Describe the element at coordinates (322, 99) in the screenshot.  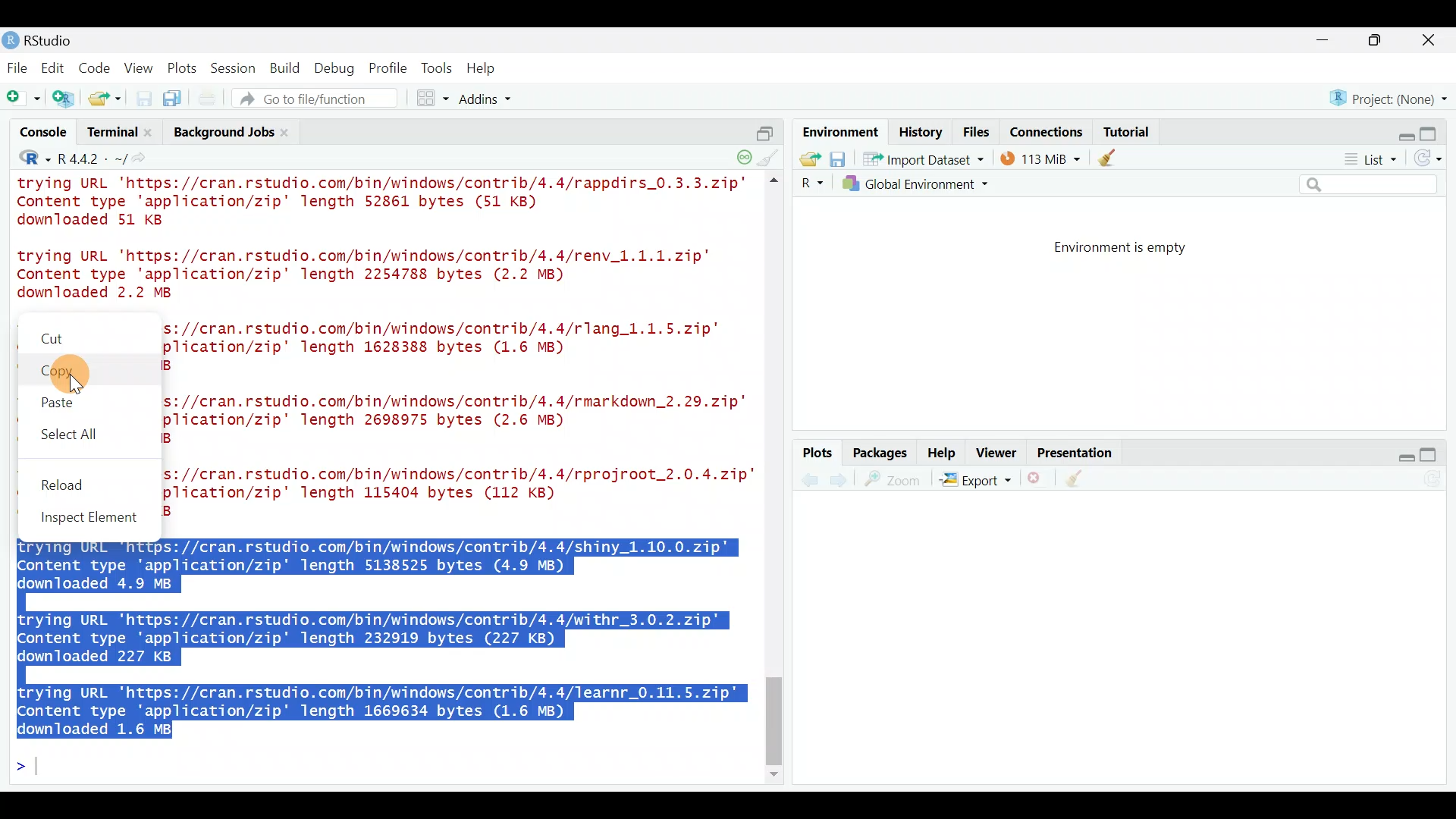
I see `Go to file/function` at that location.